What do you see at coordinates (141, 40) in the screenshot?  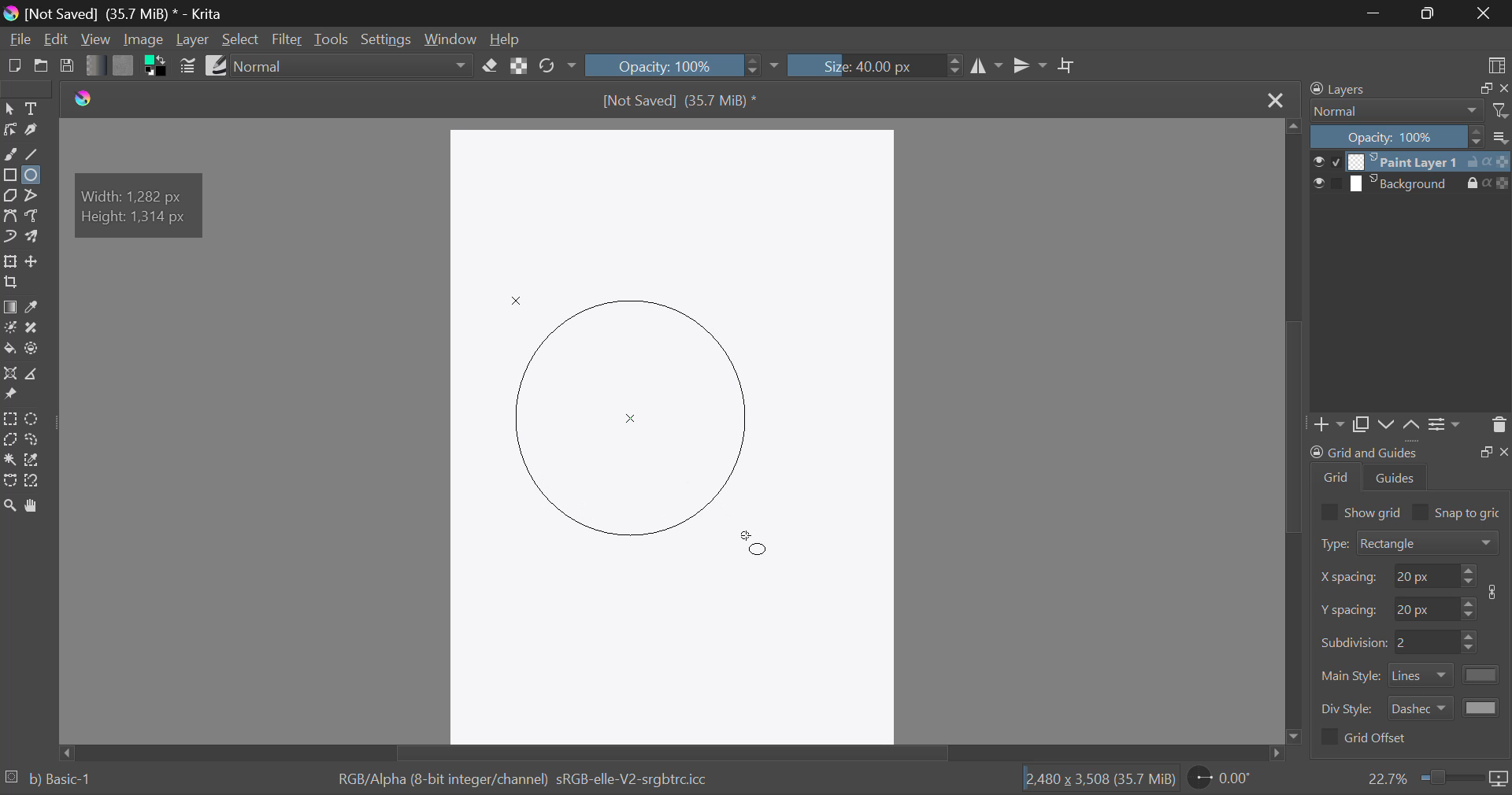 I see `Image` at bounding box center [141, 40].